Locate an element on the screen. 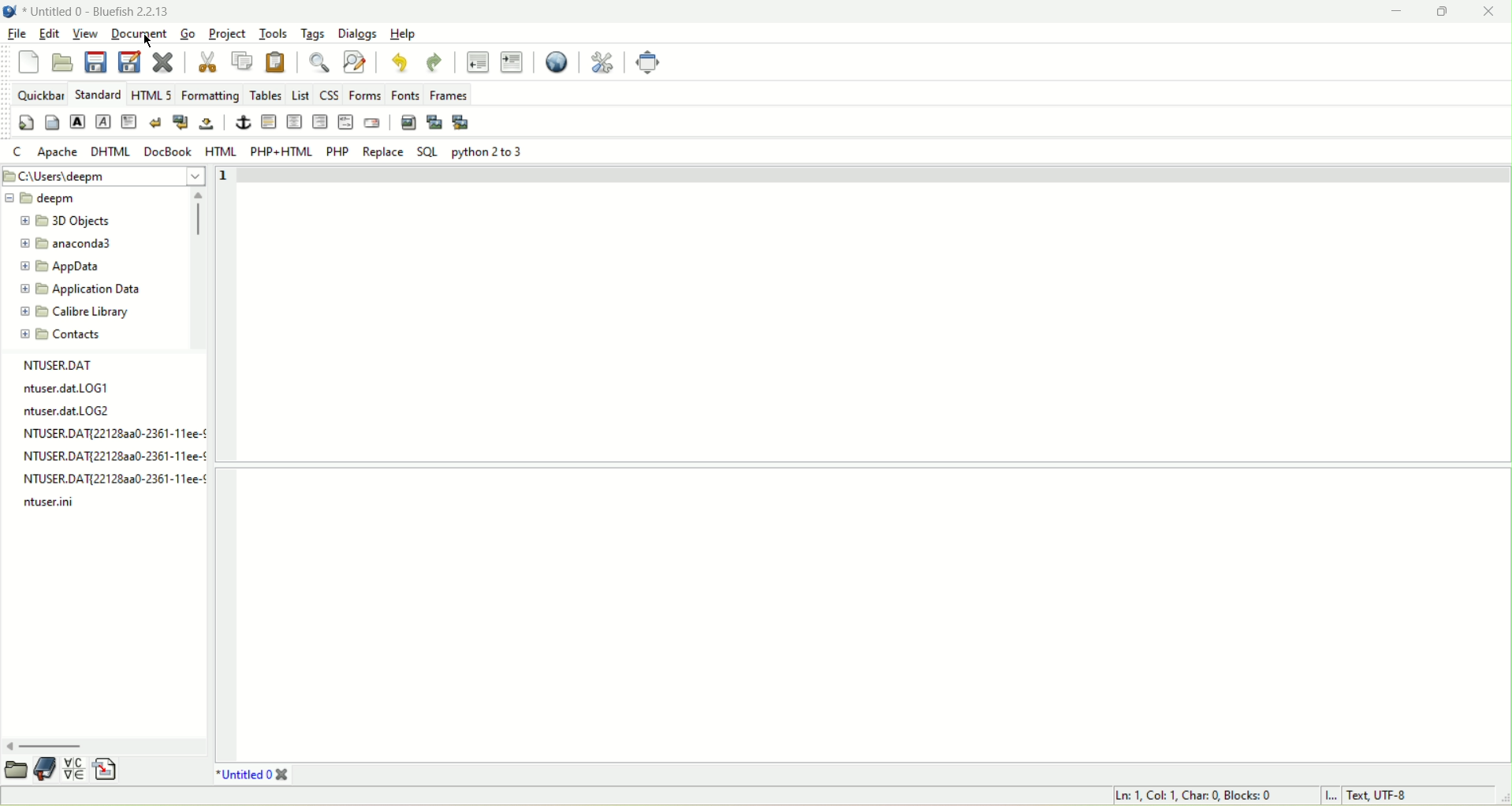 This screenshot has width=1512, height=806. DHTML is located at coordinates (110, 152).